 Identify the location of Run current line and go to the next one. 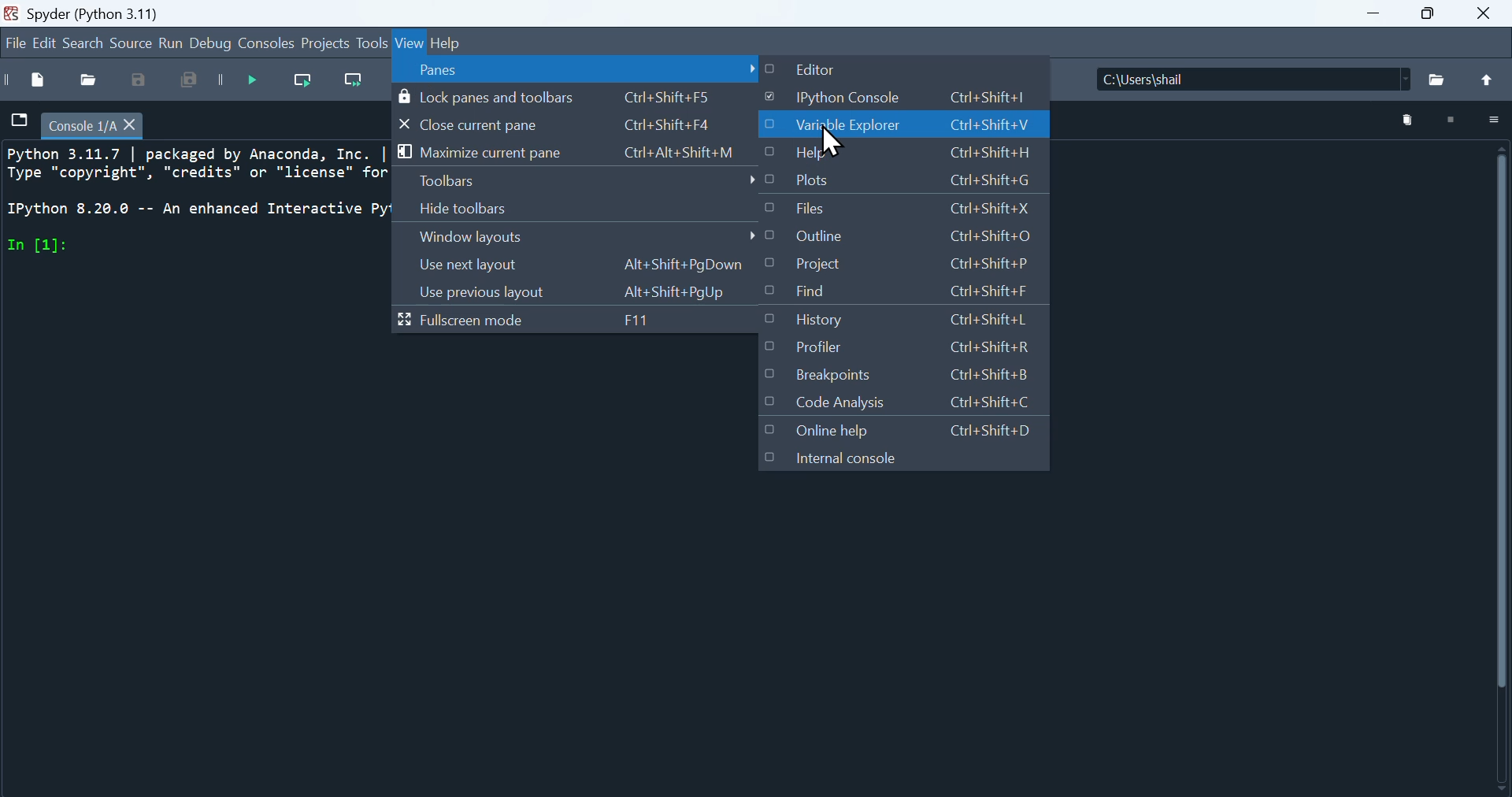
(358, 84).